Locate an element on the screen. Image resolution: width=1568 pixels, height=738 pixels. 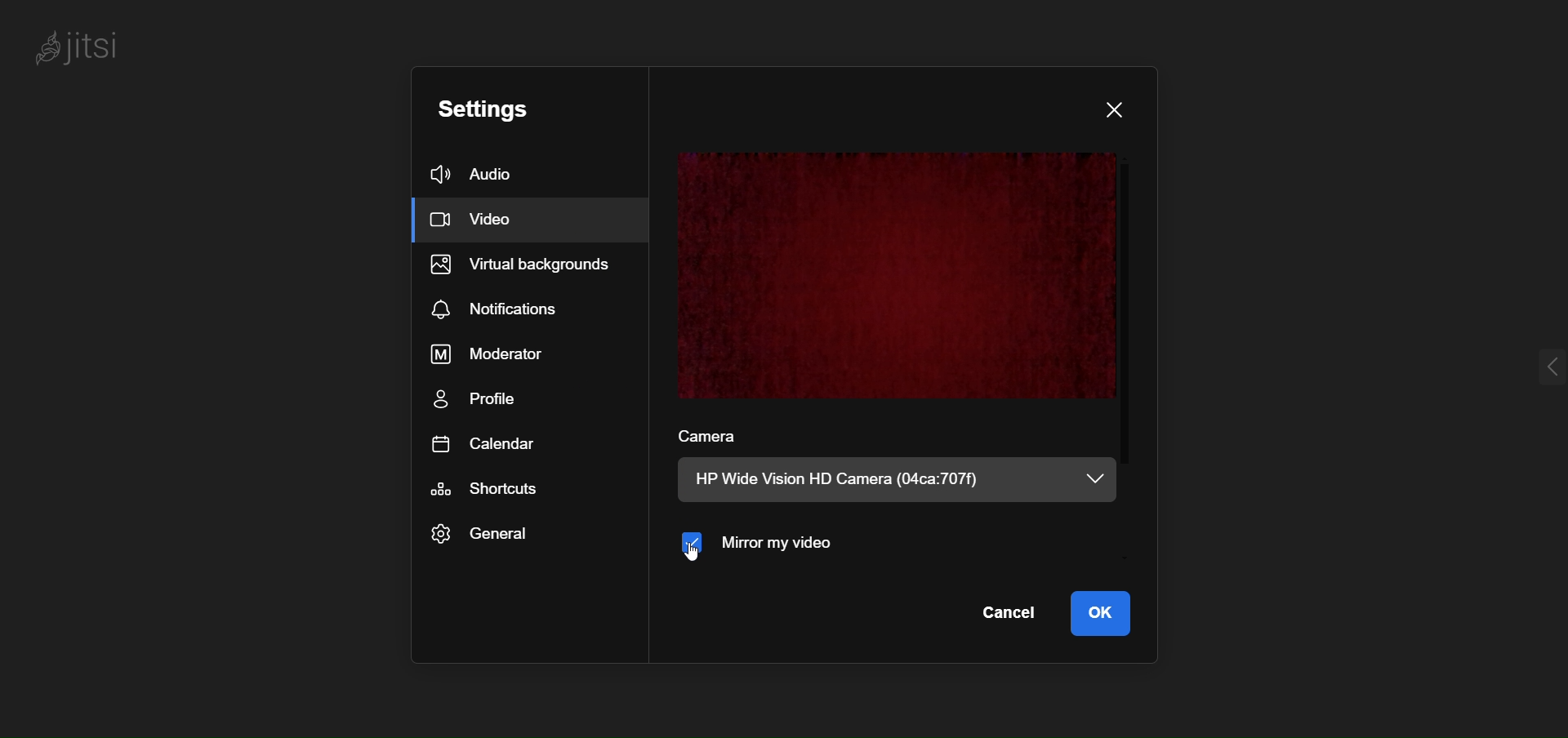
audio is located at coordinates (482, 172).